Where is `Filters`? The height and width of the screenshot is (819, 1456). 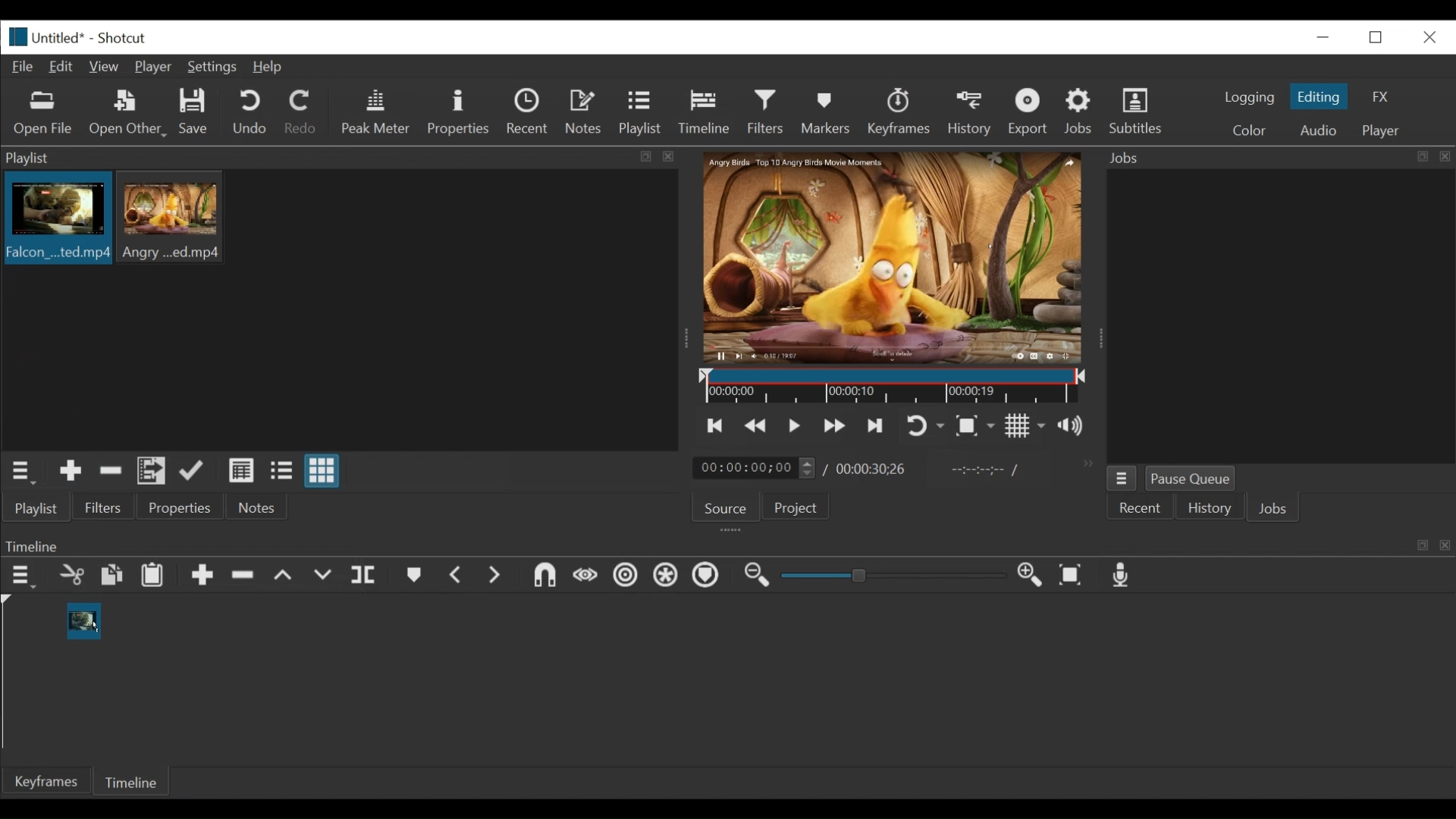
Filters is located at coordinates (770, 112).